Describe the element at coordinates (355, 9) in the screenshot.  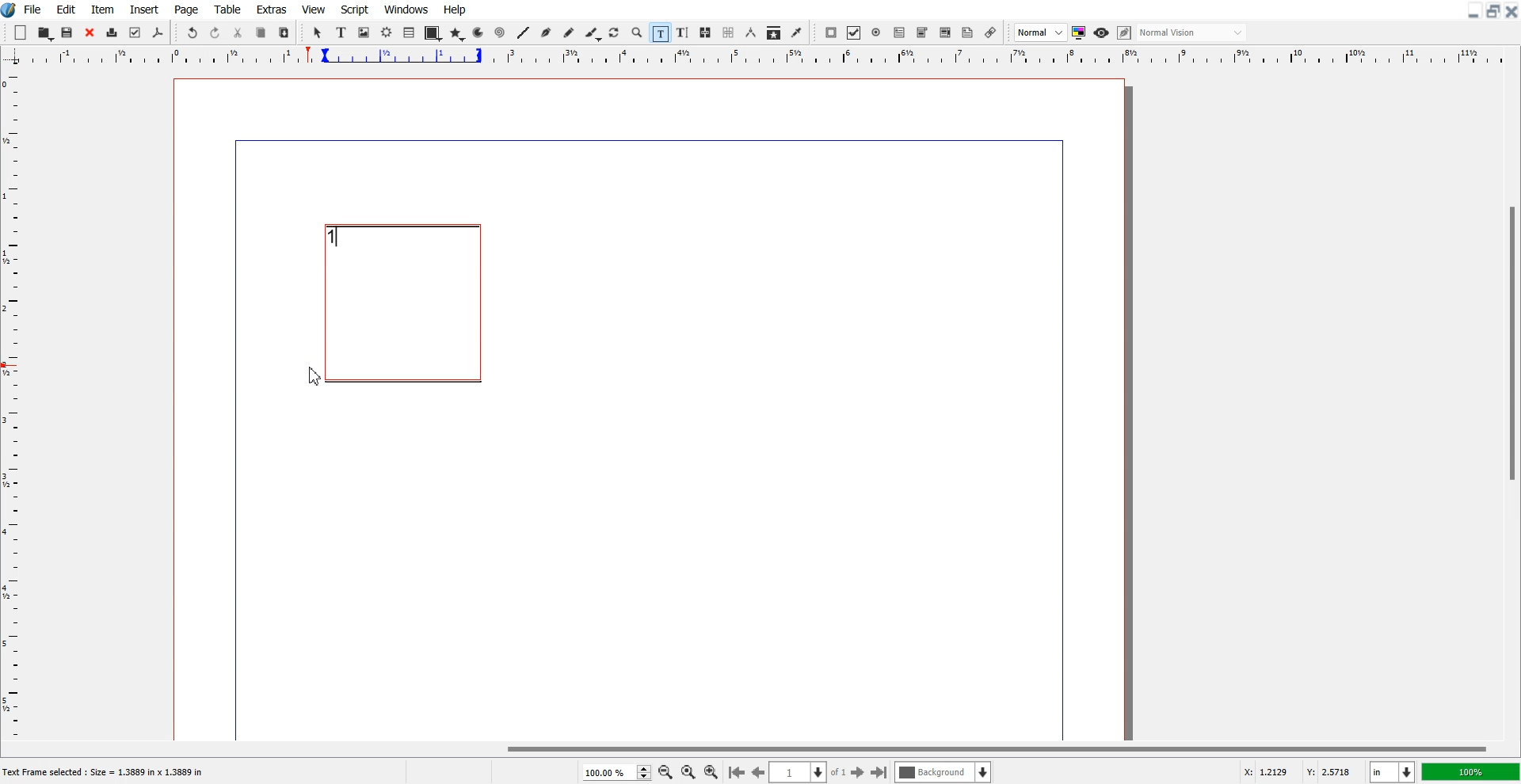
I see `Script` at that location.